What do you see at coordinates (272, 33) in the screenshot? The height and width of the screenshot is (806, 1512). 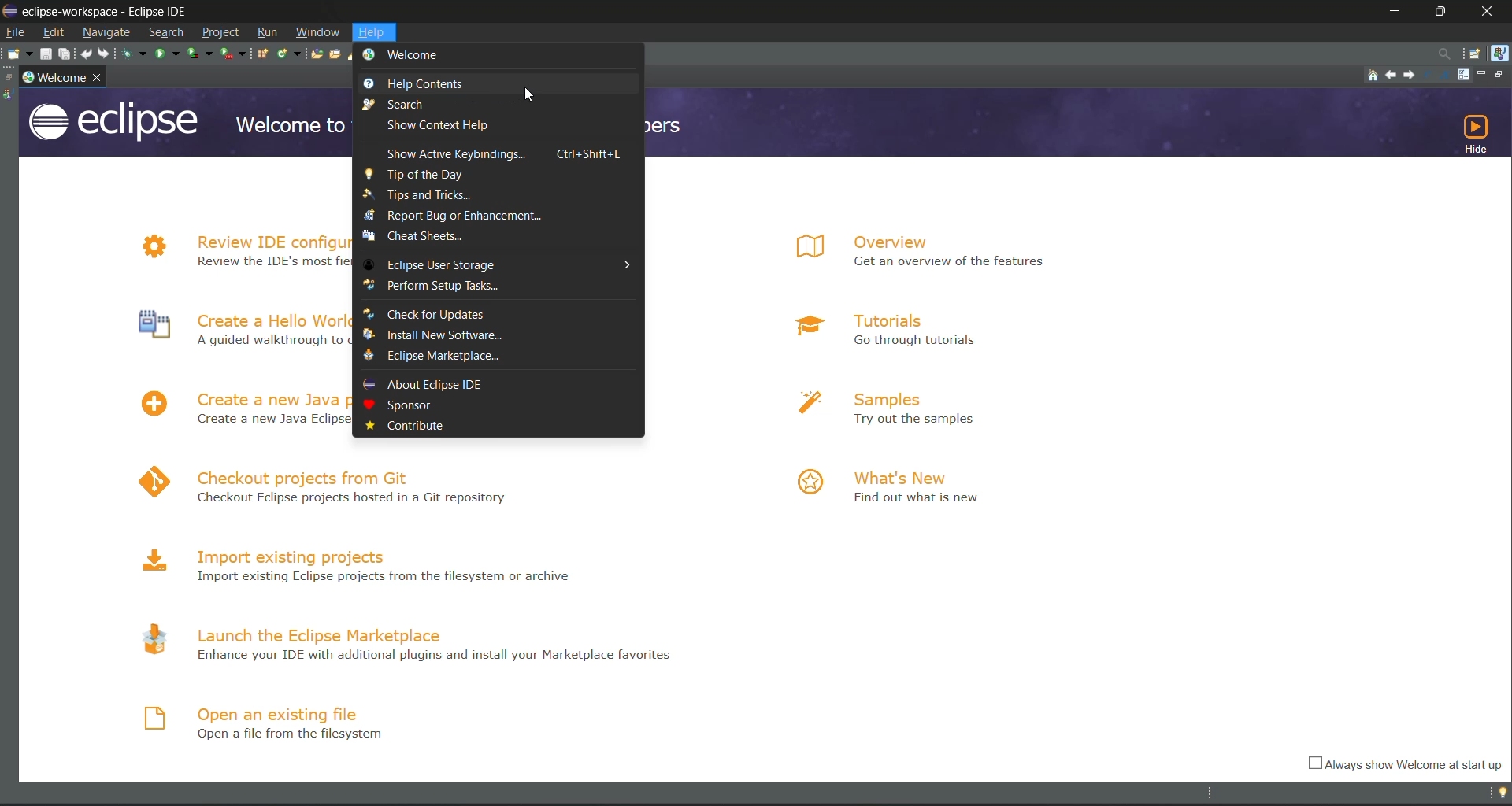 I see `run` at bounding box center [272, 33].